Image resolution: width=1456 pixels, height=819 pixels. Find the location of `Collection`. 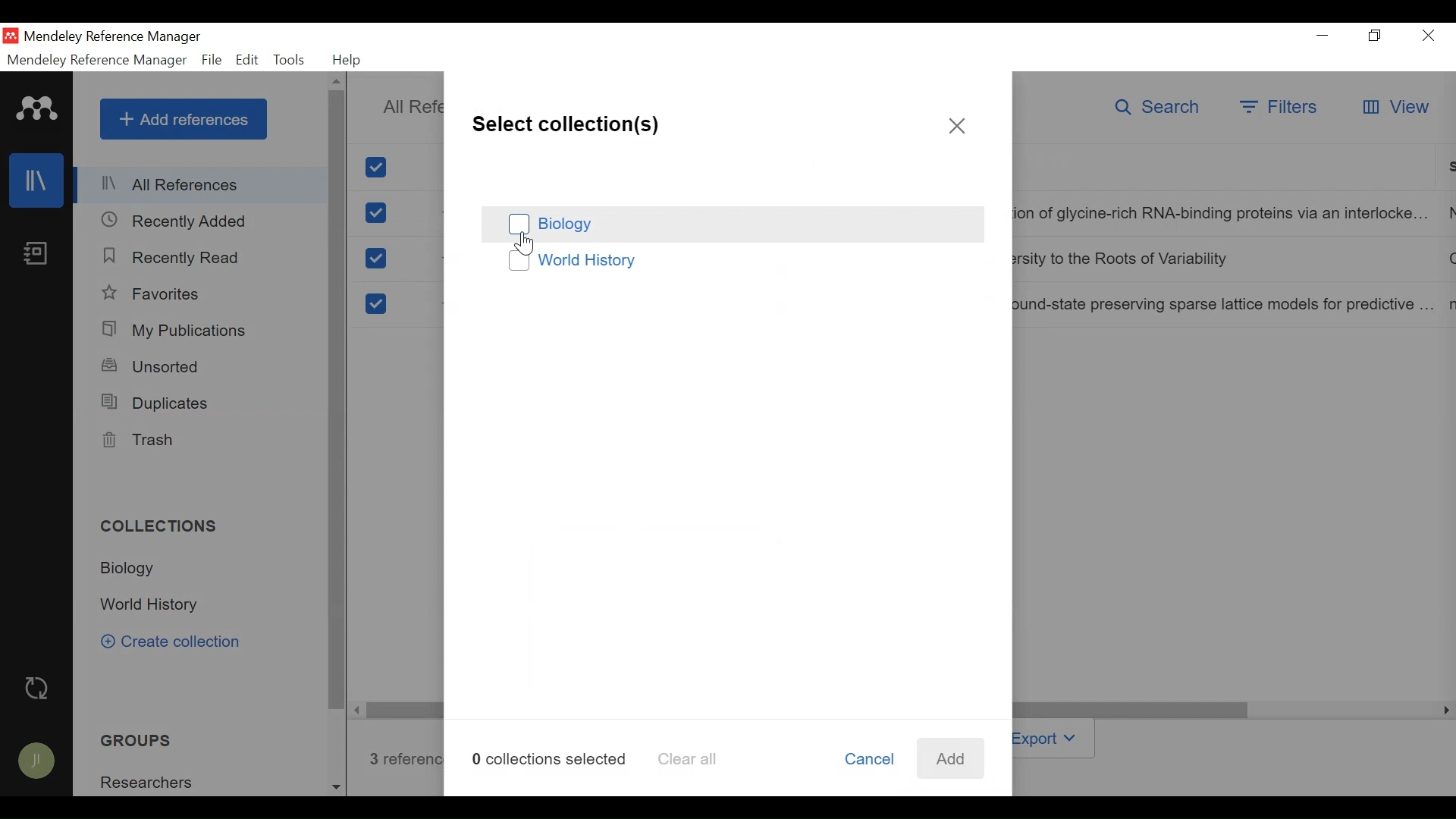

Collection is located at coordinates (152, 781).